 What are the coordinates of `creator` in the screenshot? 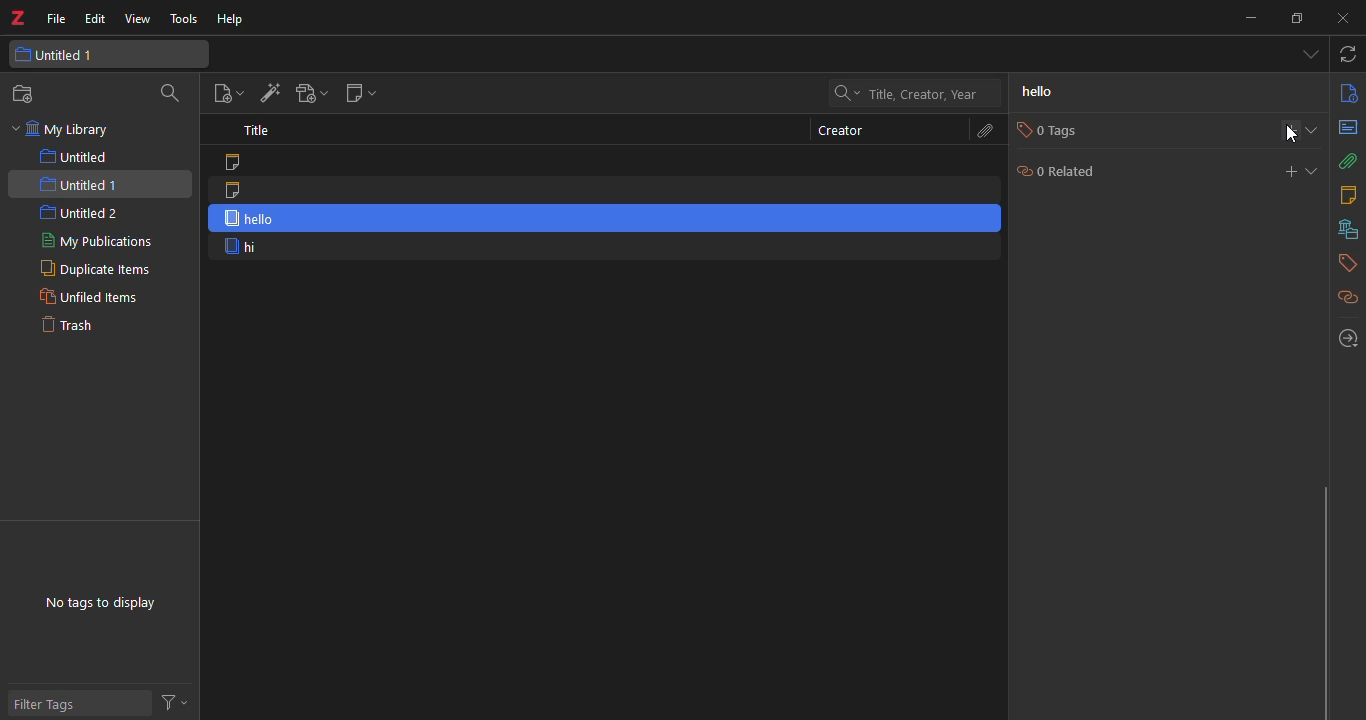 It's located at (834, 130).